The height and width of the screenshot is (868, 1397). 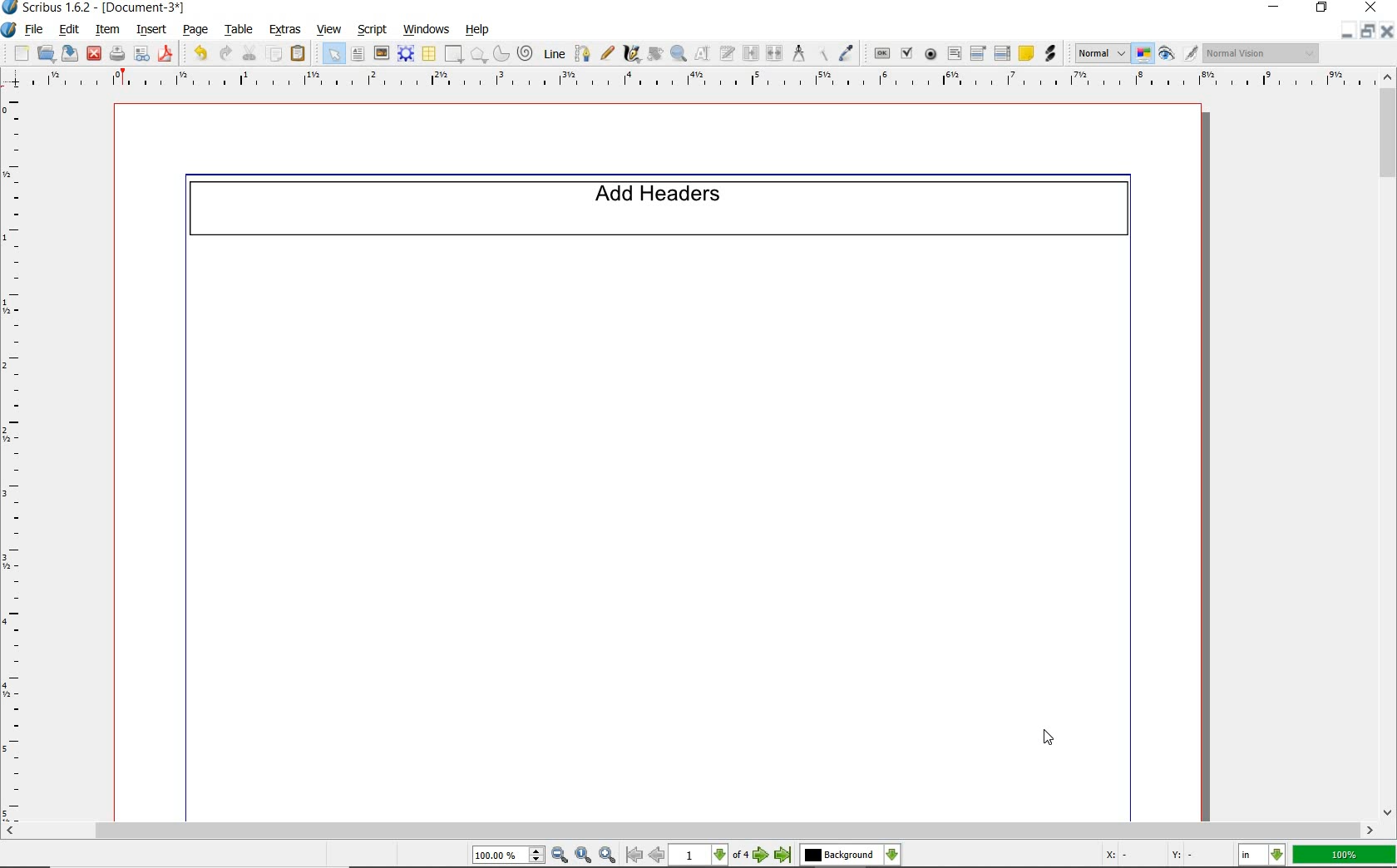 What do you see at coordinates (554, 52) in the screenshot?
I see `line` at bounding box center [554, 52].